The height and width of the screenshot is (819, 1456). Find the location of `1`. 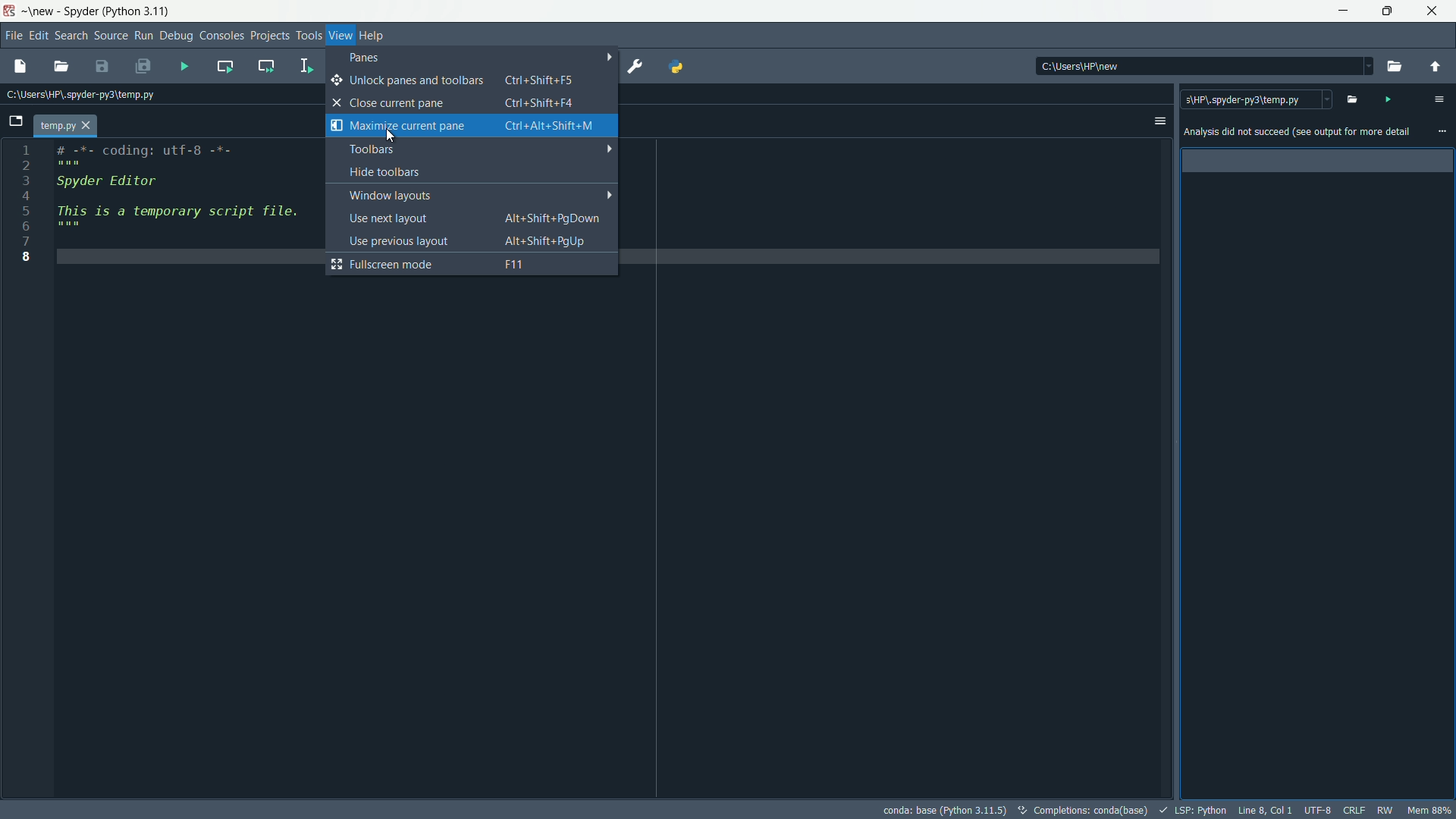

1 is located at coordinates (25, 149).